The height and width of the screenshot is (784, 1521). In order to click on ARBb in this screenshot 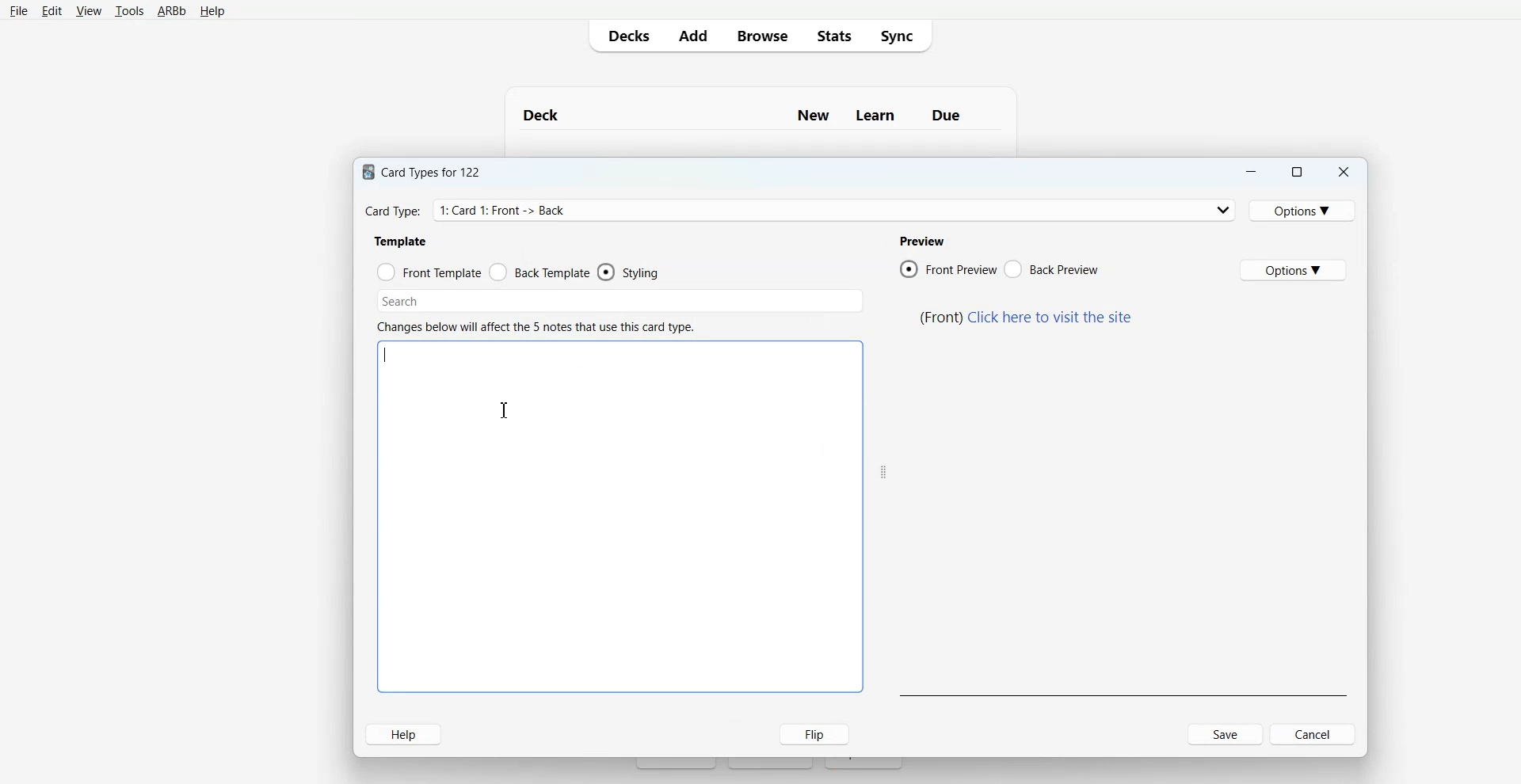, I will do `click(171, 12)`.